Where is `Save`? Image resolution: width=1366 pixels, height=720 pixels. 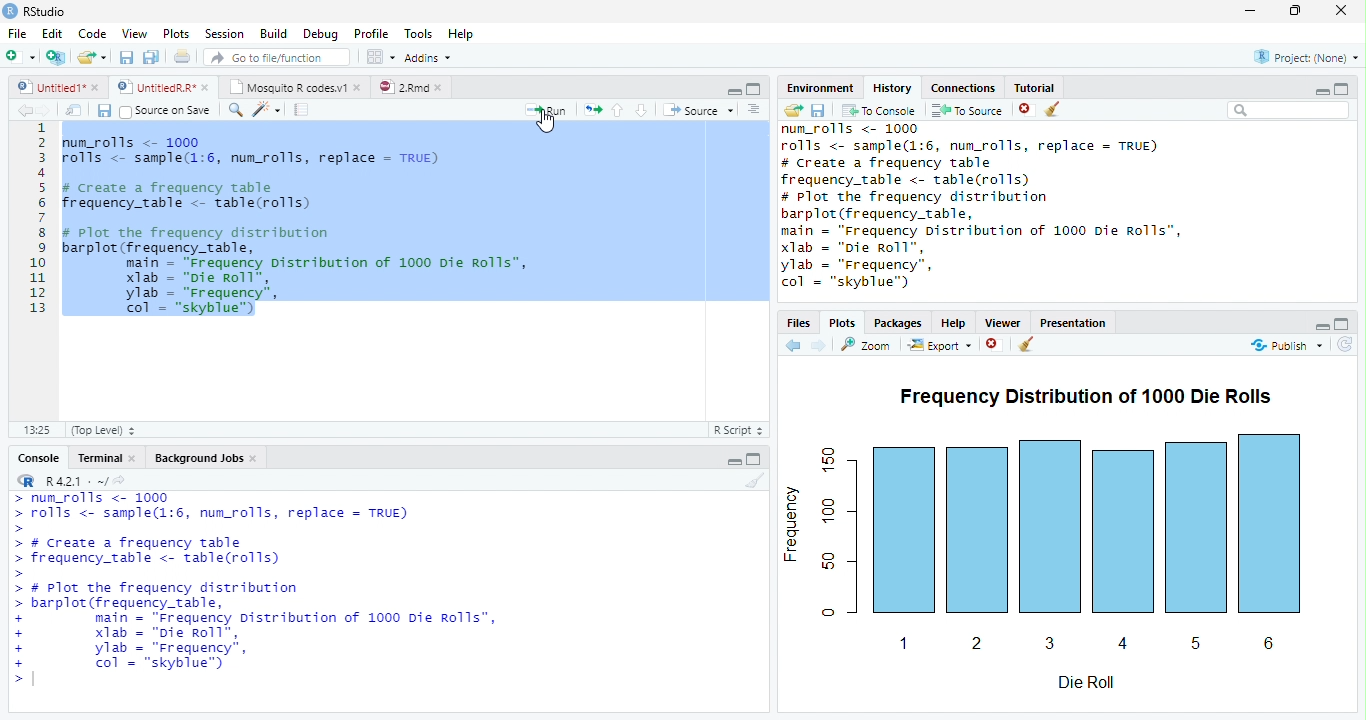 Save is located at coordinates (103, 110).